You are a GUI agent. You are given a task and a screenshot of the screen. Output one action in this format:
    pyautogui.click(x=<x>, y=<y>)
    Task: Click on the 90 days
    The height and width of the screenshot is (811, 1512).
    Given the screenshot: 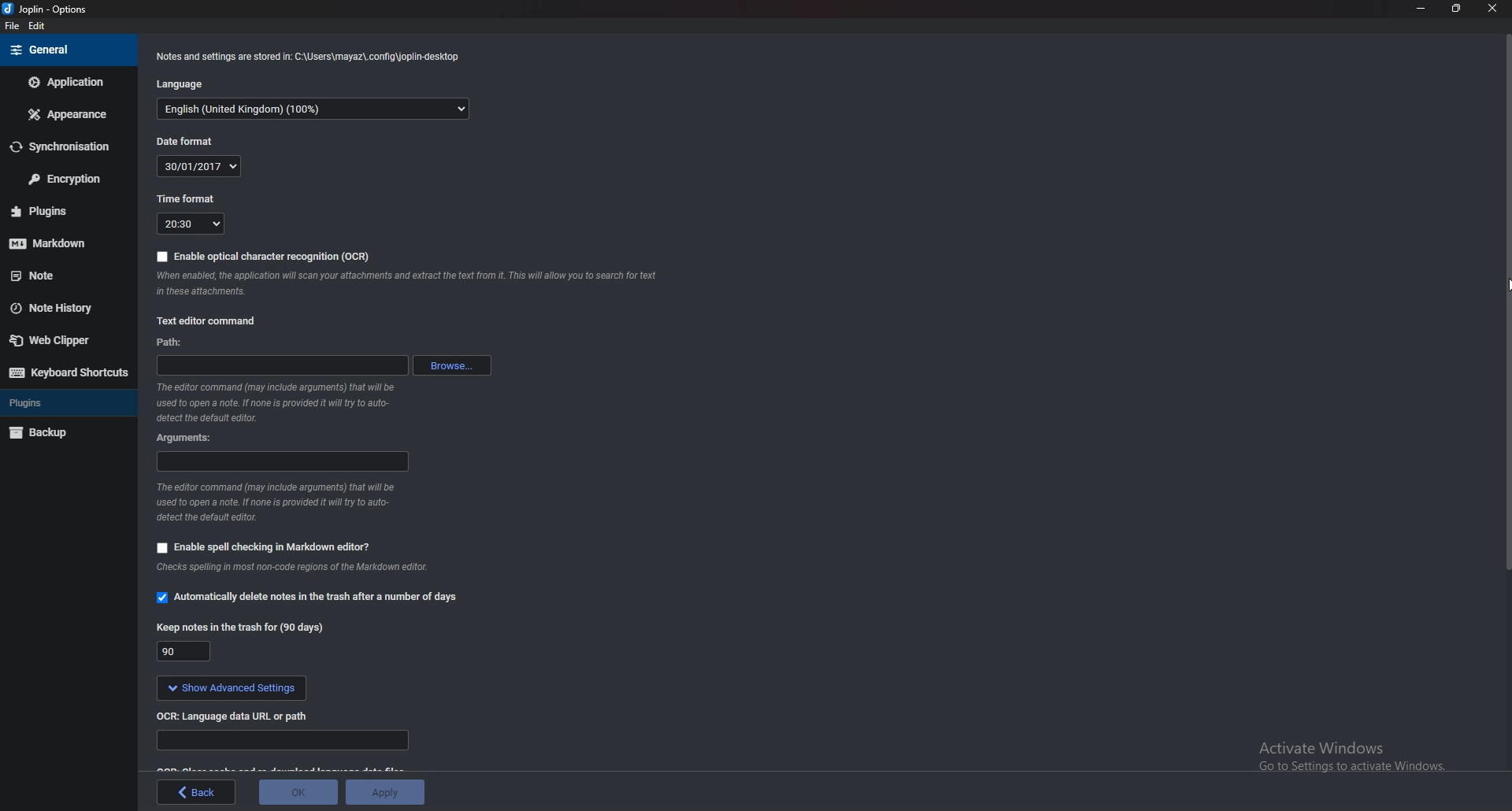 What is the action you would take?
    pyautogui.click(x=185, y=650)
    